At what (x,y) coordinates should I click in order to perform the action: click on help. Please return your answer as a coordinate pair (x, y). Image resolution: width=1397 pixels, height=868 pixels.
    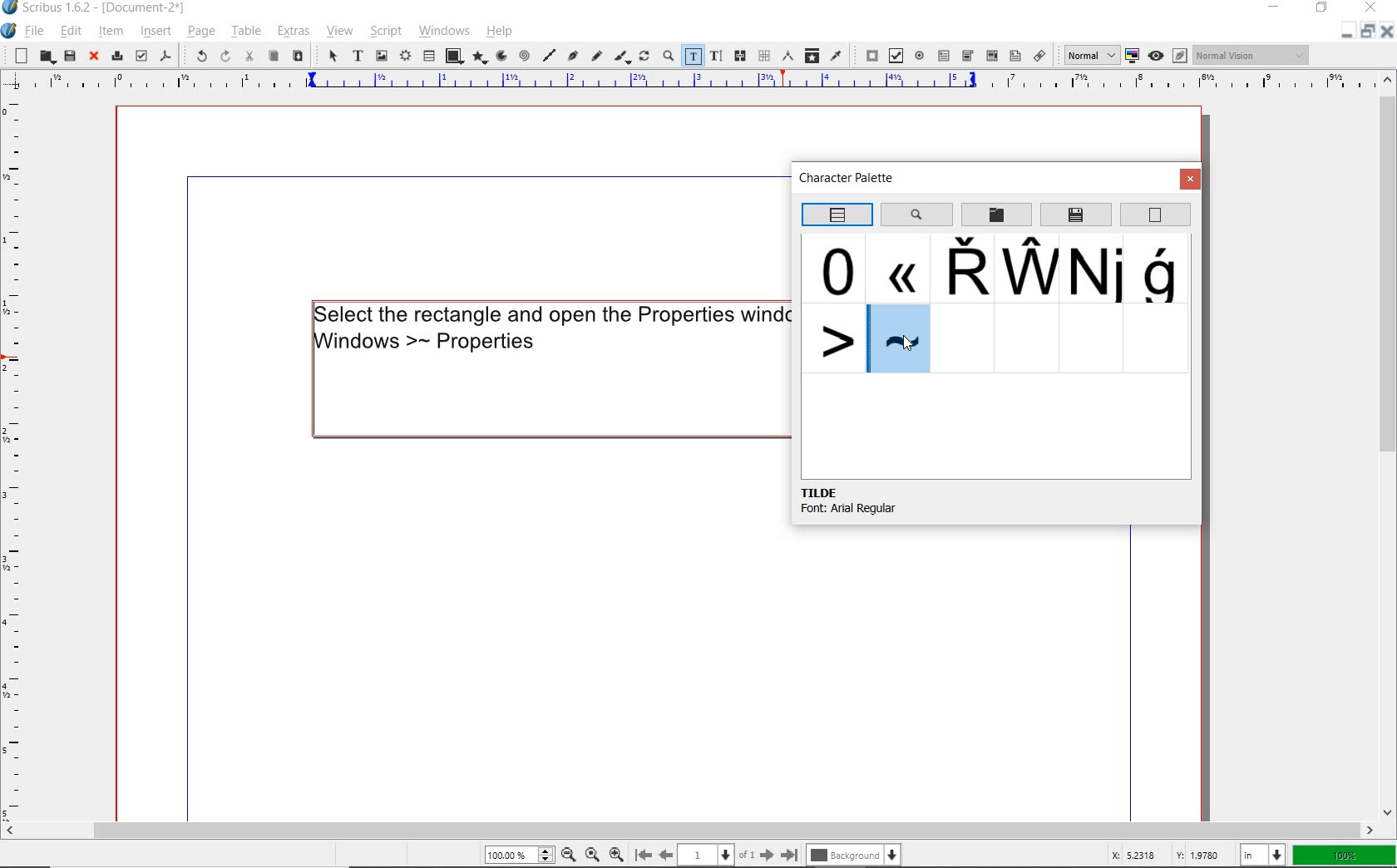
    Looking at the image, I should click on (500, 32).